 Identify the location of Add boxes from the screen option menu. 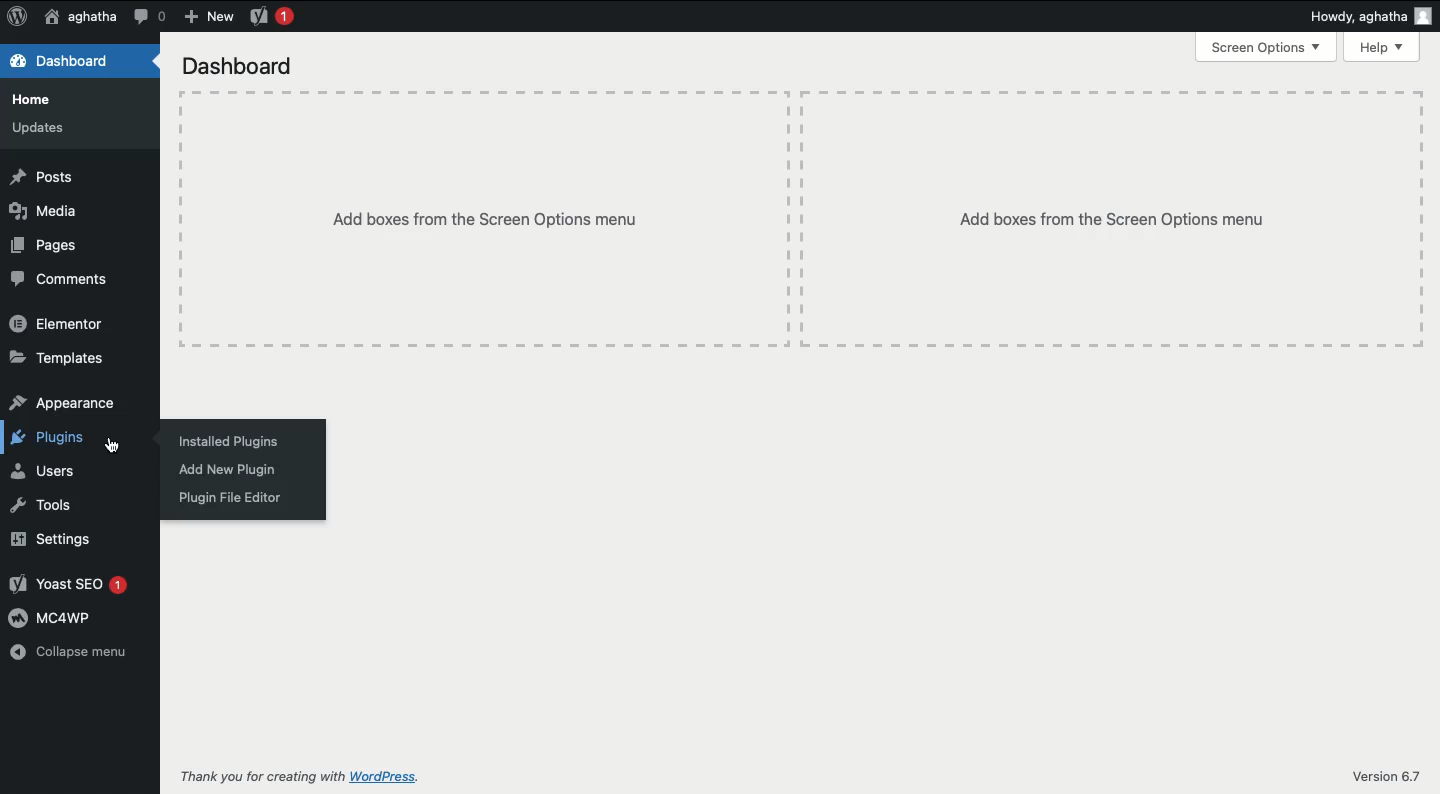
(492, 222).